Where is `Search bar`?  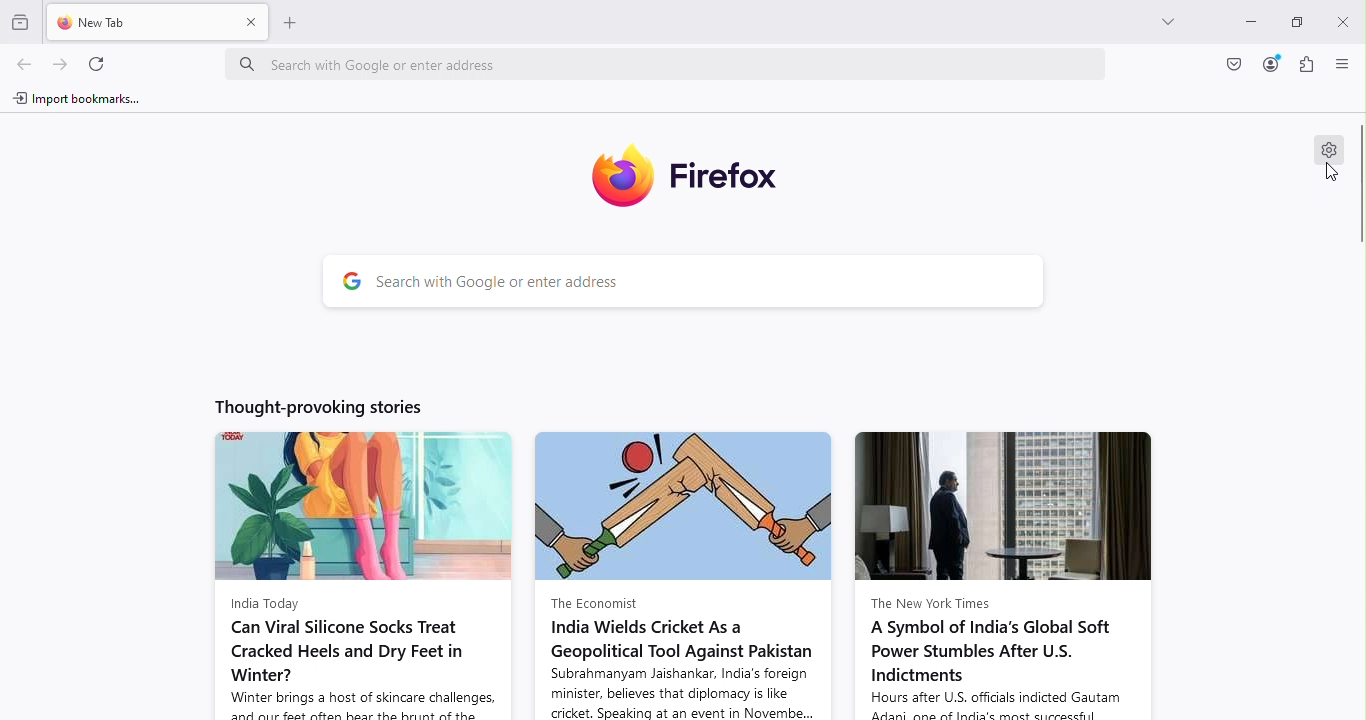 Search bar is located at coordinates (711, 283).